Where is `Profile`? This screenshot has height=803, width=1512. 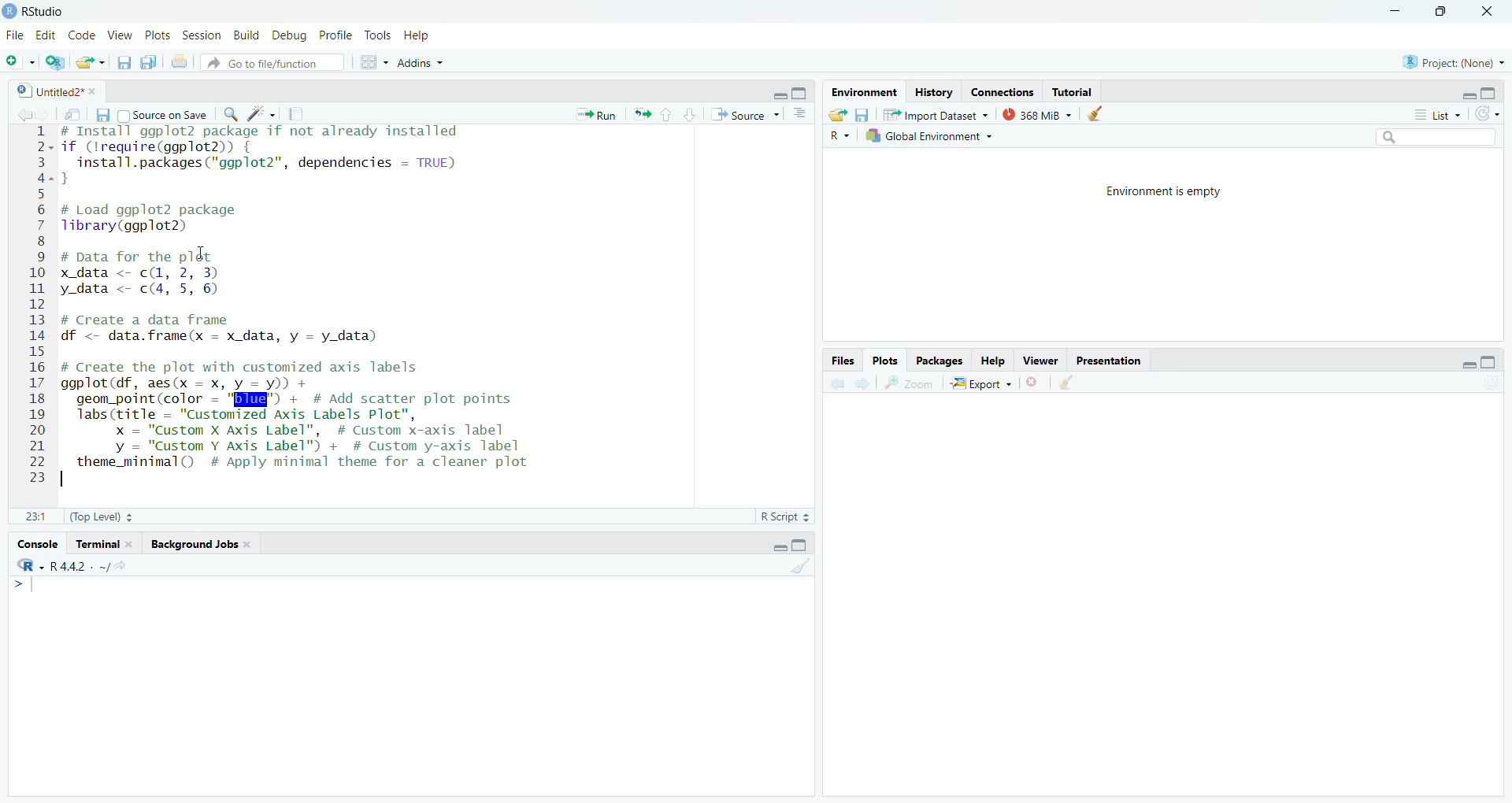 Profile is located at coordinates (335, 33).